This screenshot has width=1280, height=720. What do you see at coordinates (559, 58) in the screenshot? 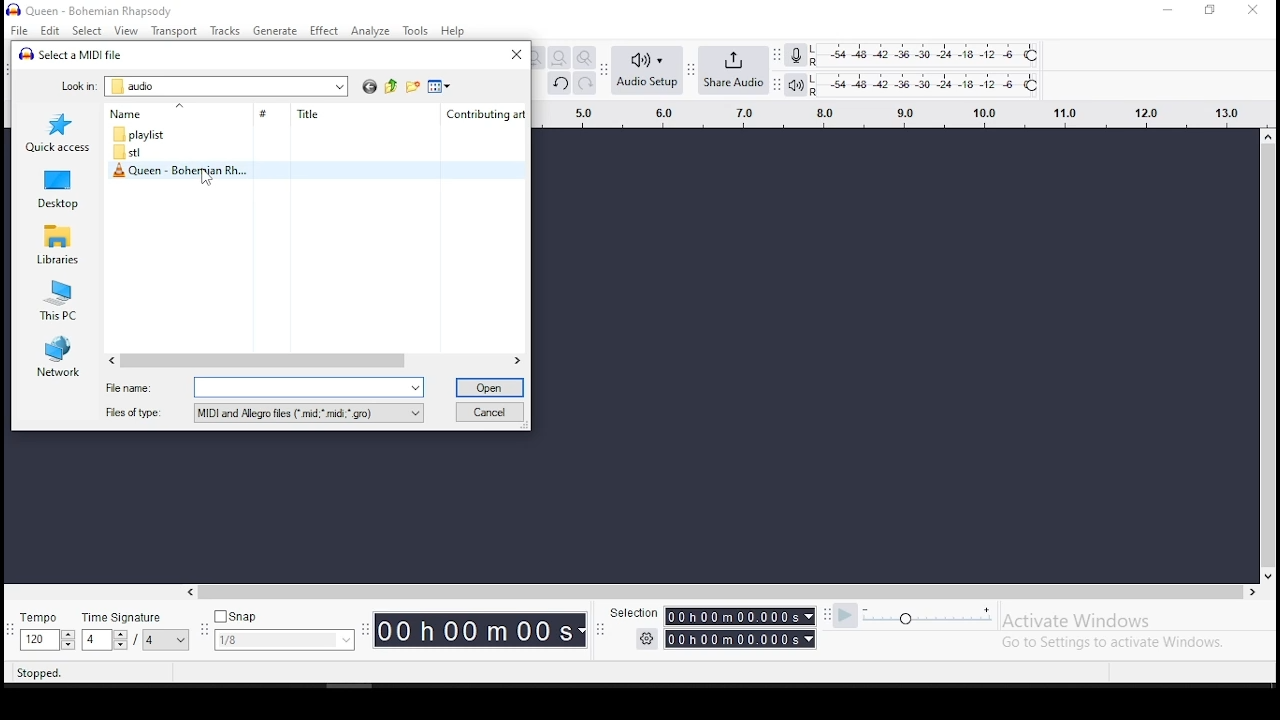
I see `fit to project to width` at bounding box center [559, 58].